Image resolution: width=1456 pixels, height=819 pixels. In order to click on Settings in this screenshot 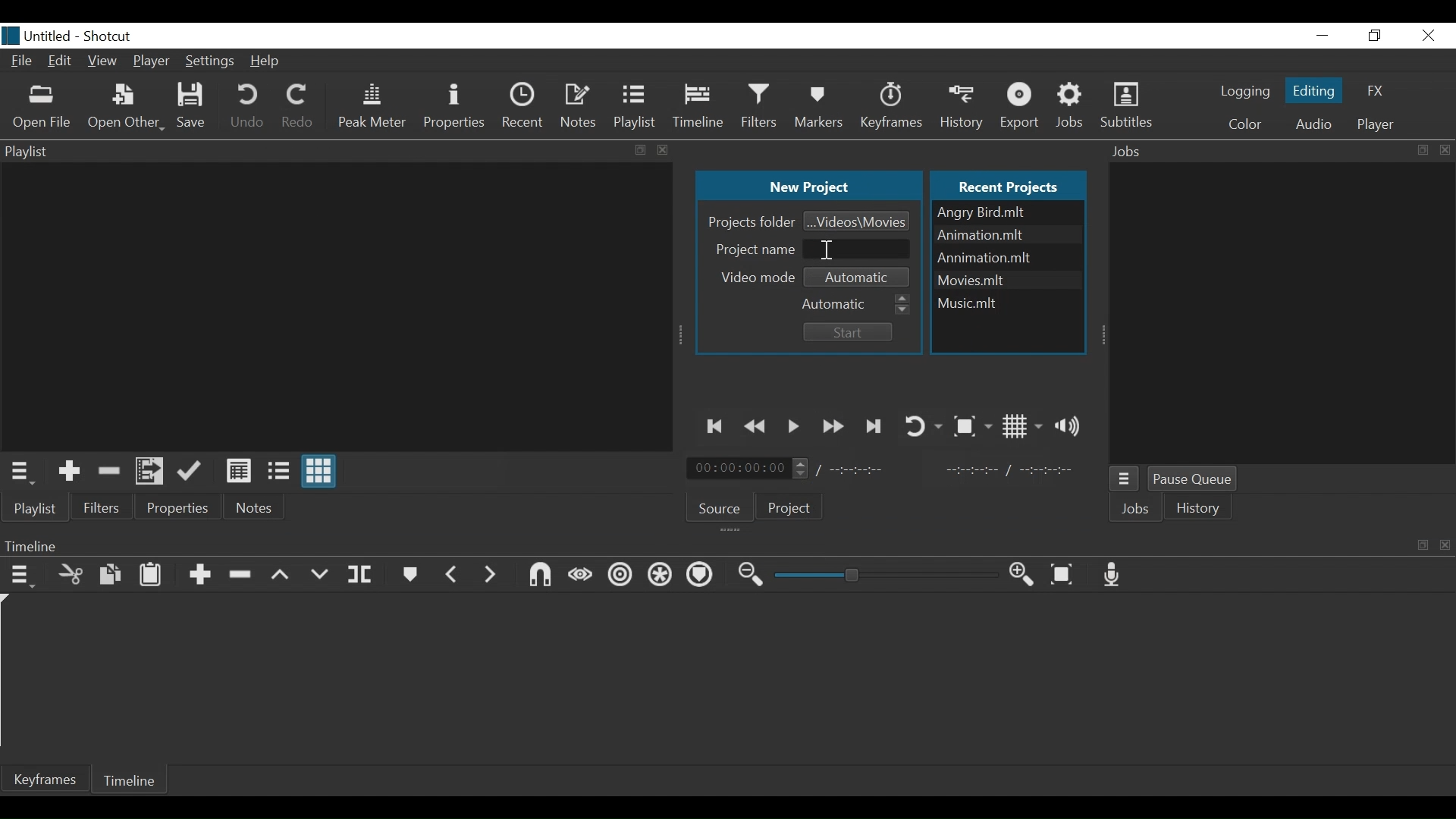, I will do `click(208, 63)`.